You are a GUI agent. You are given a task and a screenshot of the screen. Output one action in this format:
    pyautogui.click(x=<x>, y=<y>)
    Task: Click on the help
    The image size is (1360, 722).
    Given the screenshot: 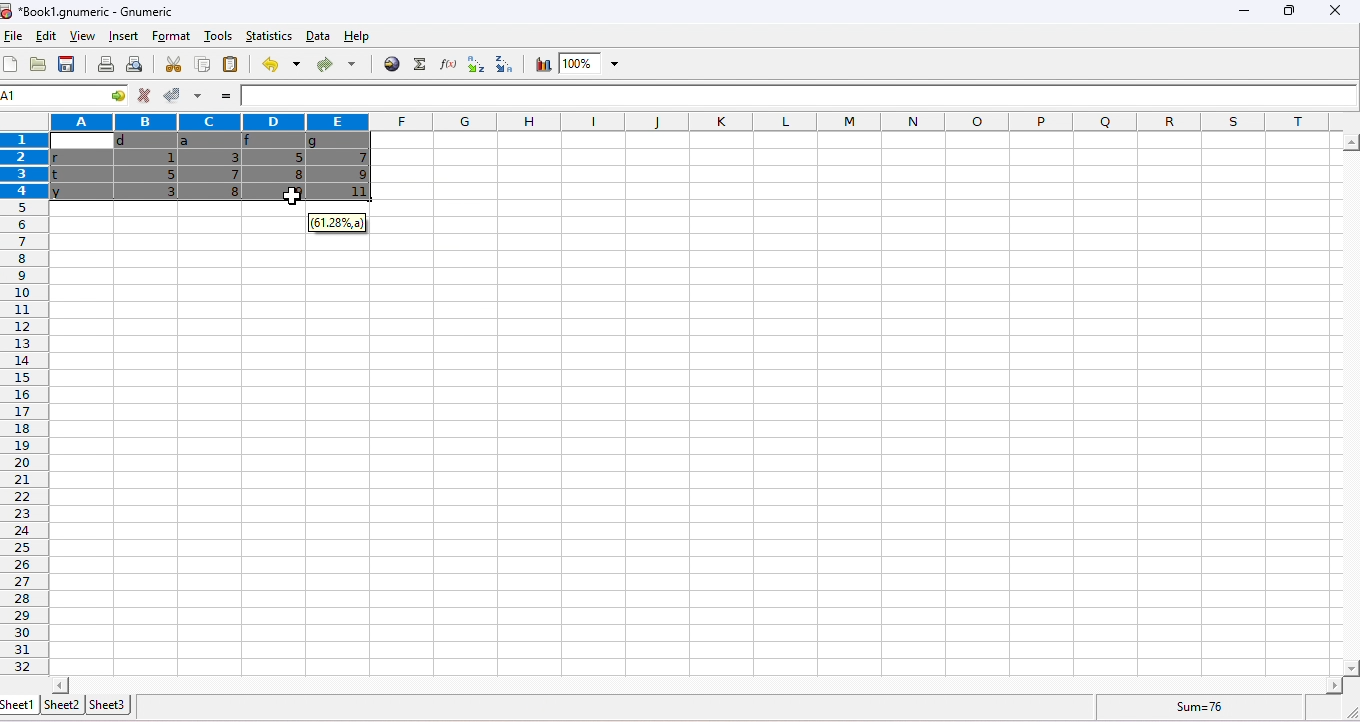 What is the action you would take?
    pyautogui.click(x=365, y=38)
    